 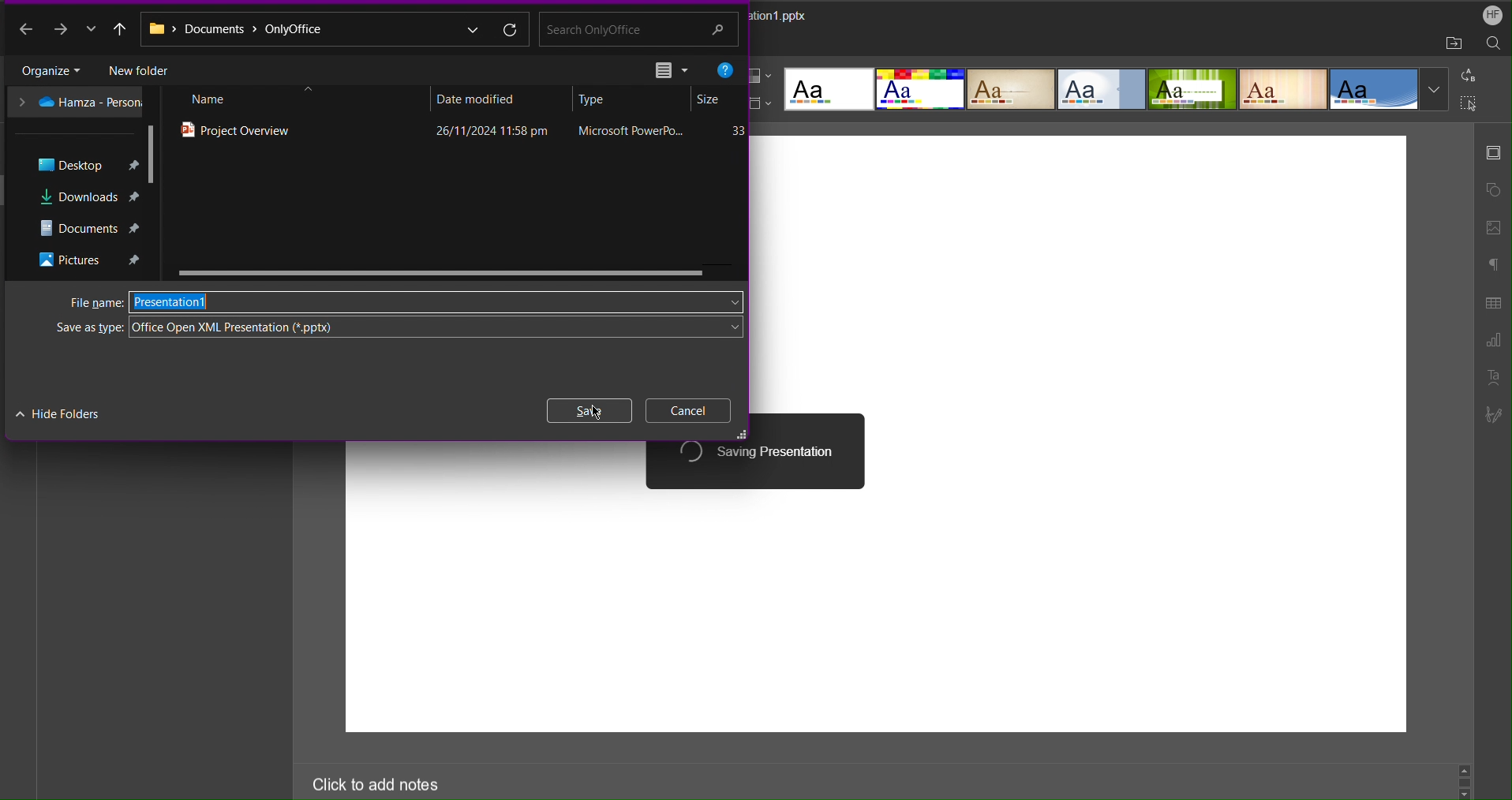 I want to click on Move up a directory, so click(x=118, y=29).